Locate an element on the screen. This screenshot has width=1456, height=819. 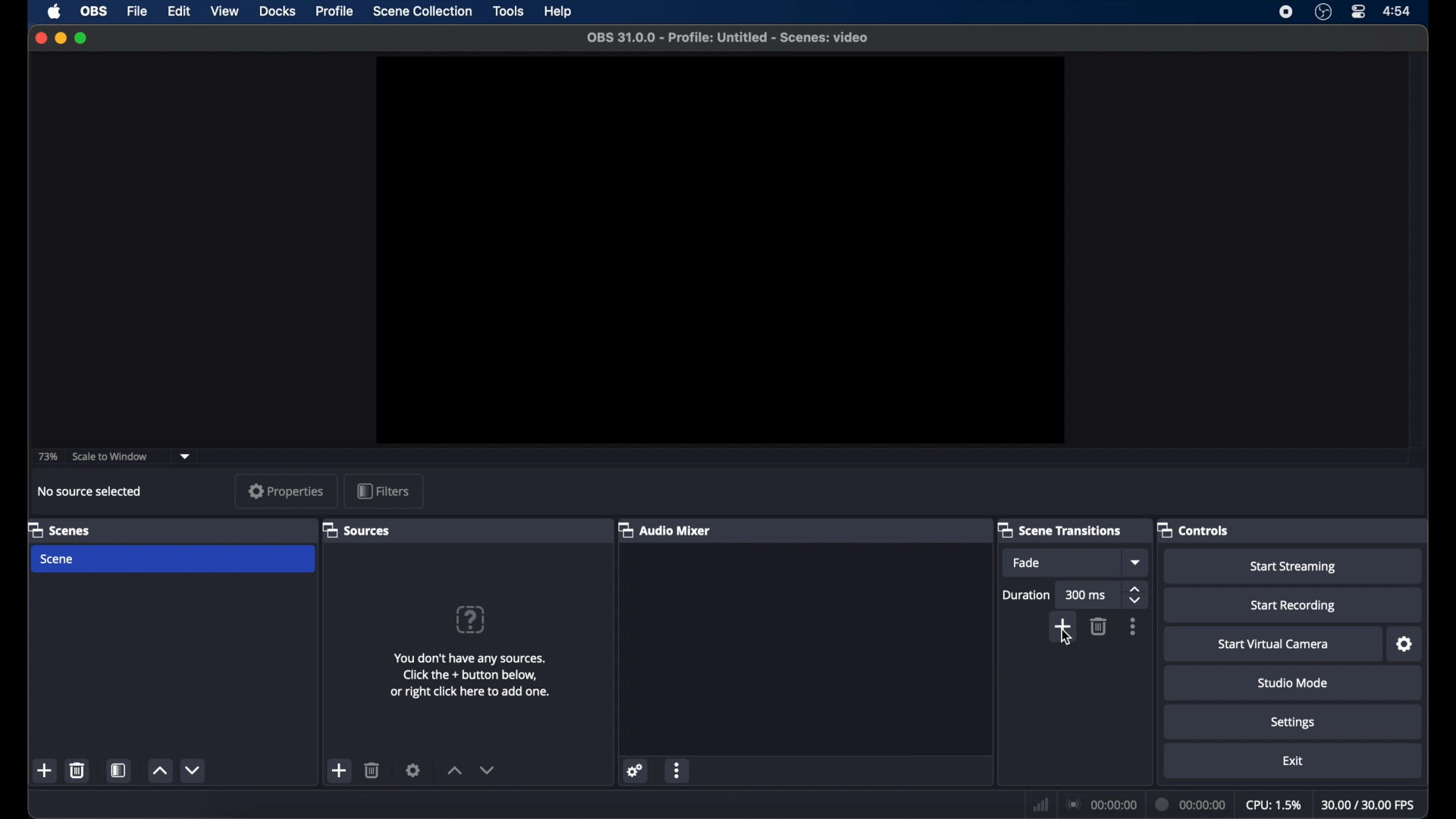
settings is located at coordinates (1293, 722).